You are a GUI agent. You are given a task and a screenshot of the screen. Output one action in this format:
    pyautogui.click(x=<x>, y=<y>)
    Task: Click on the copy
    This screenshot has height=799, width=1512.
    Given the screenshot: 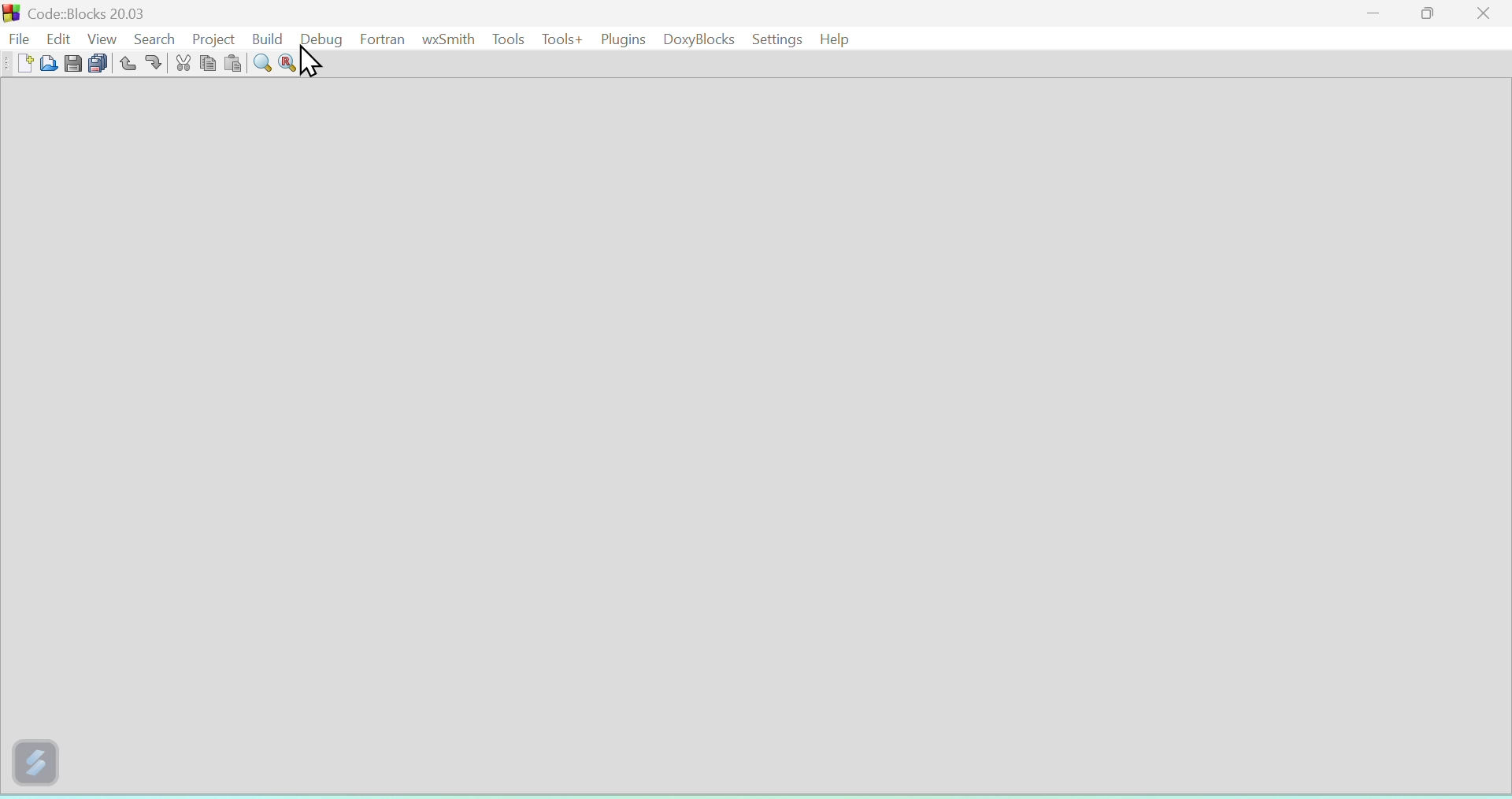 What is the action you would take?
    pyautogui.click(x=208, y=63)
    